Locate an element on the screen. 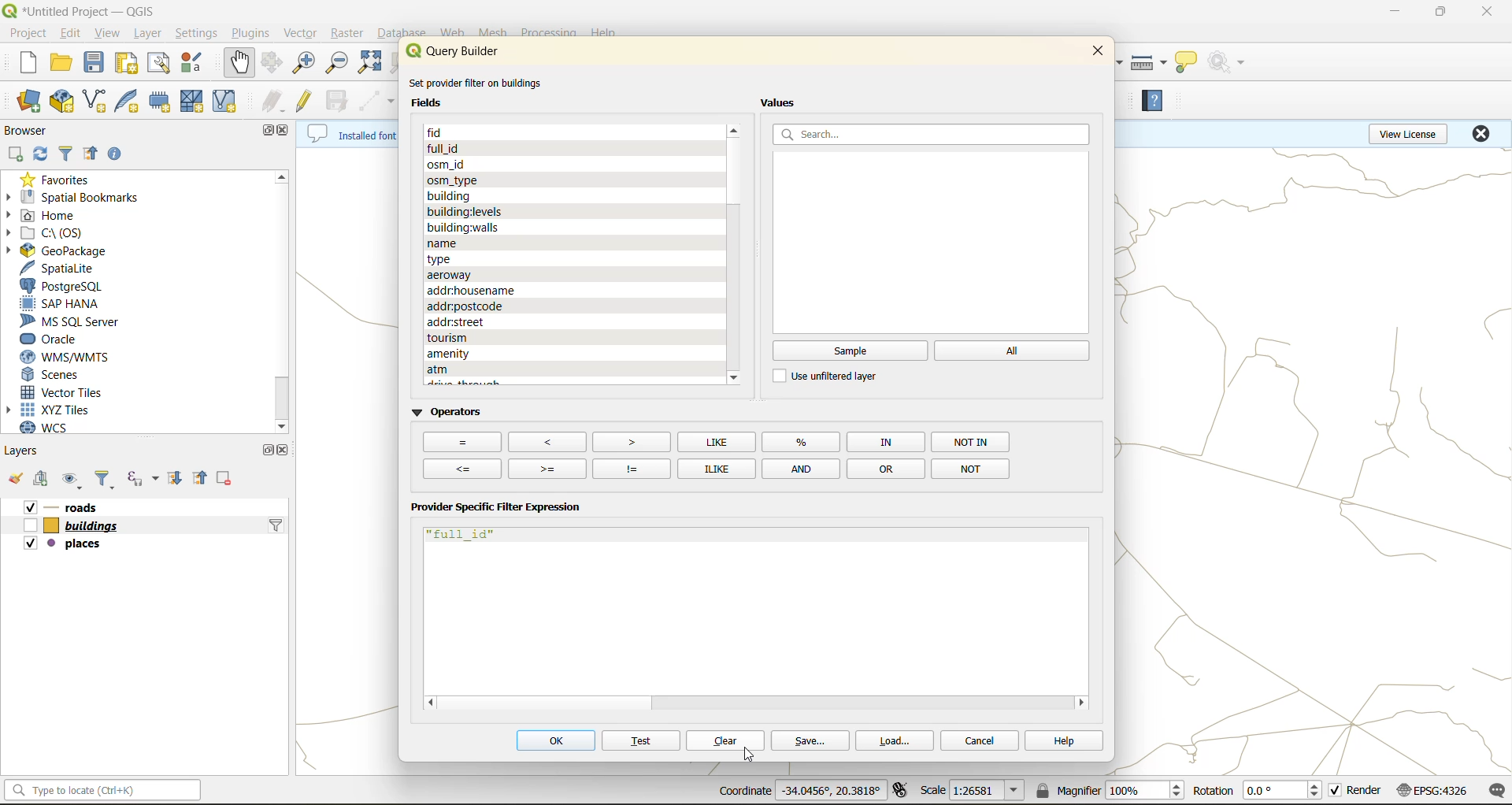 Image resolution: width=1512 pixels, height=805 pixels. magnifier is located at coordinates (1110, 792).